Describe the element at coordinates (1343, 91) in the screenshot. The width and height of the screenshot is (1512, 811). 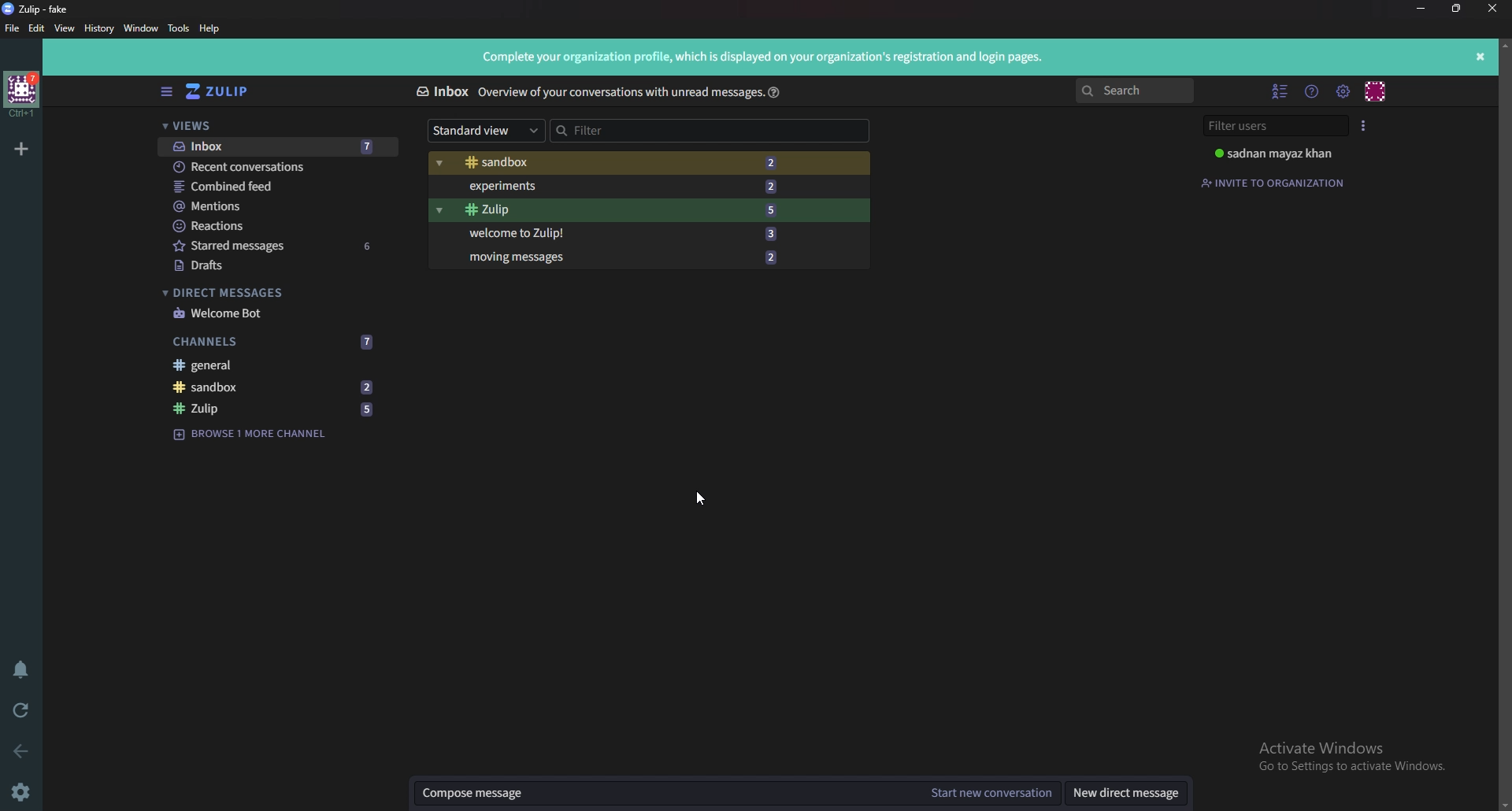
I see `Main menu` at that location.